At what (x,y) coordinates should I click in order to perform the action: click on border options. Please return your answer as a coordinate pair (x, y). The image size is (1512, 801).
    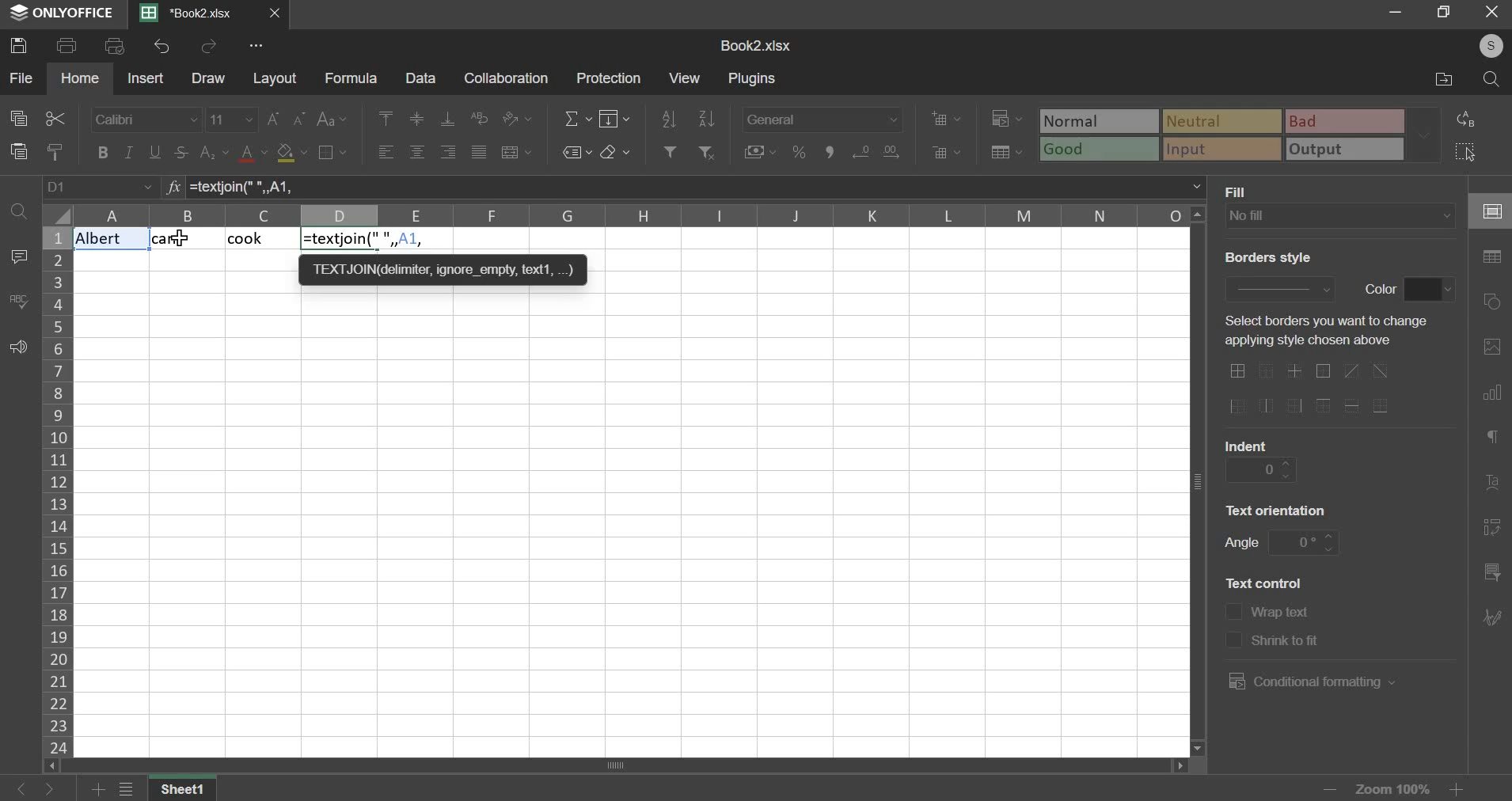
    Looking at the image, I should click on (1316, 389).